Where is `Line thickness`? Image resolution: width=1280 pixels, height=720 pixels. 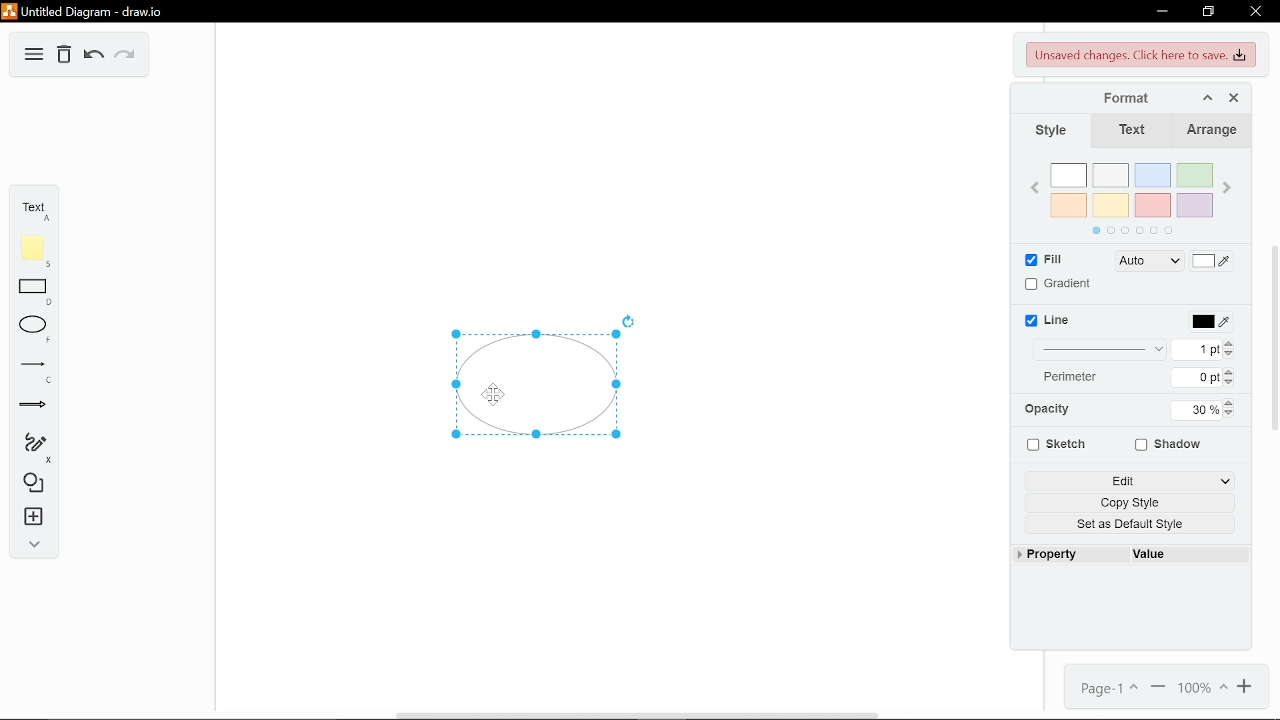
Line thickness is located at coordinates (1102, 349).